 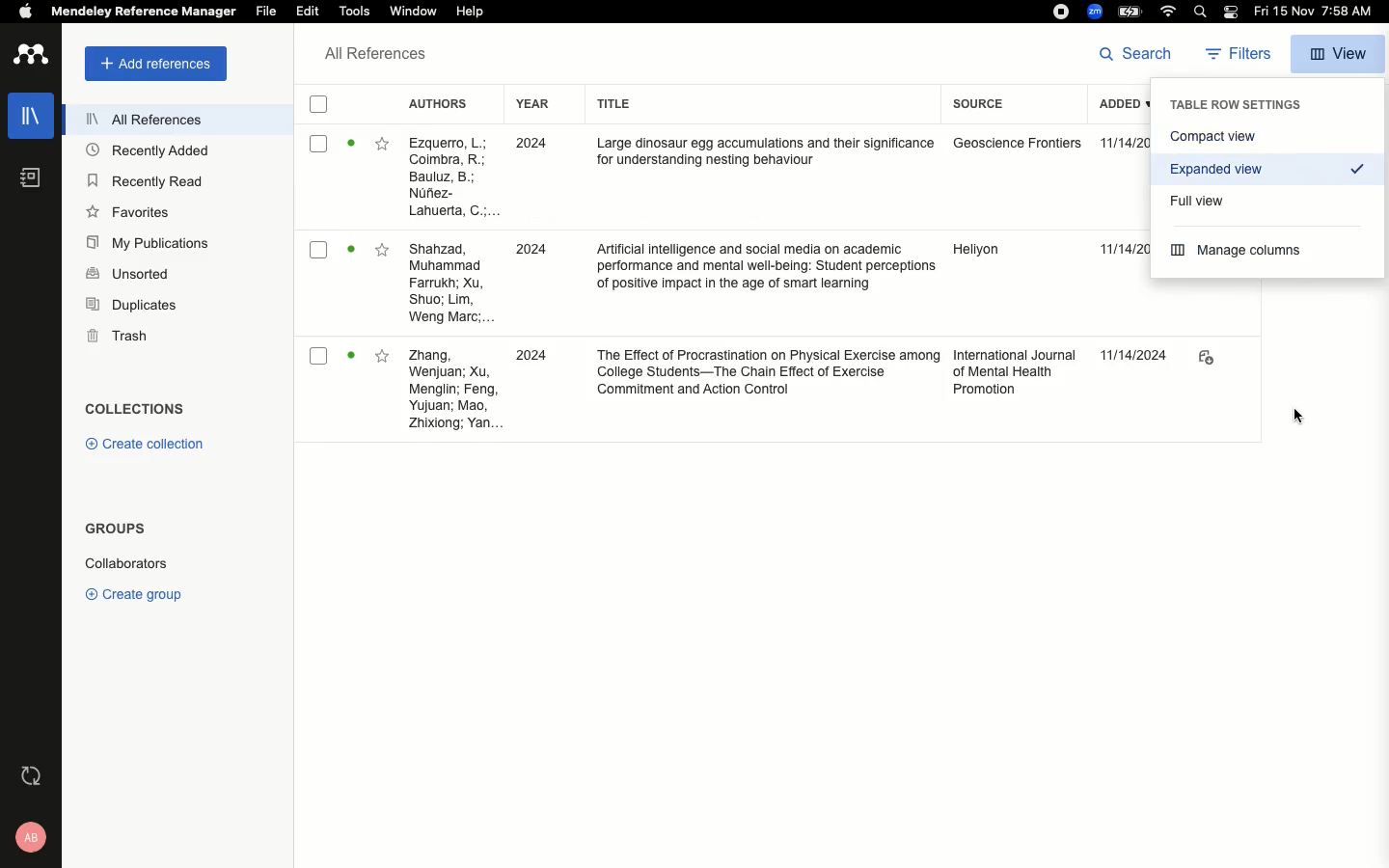 What do you see at coordinates (416, 13) in the screenshot?
I see `Window` at bounding box center [416, 13].